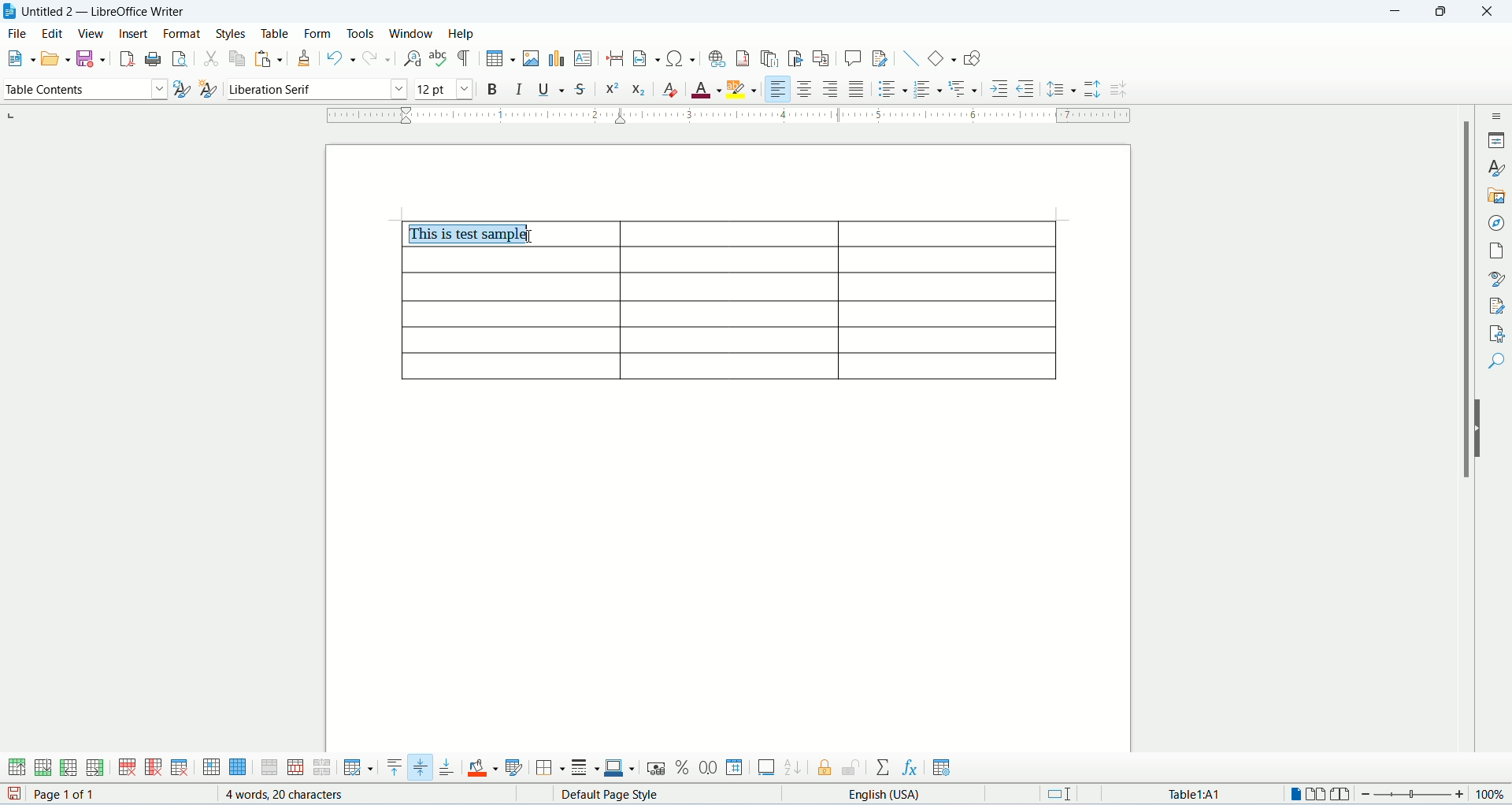  What do you see at coordinates (1499, 194) in the screenshot?
I see `gallery` at bounding box center [1499, 194].